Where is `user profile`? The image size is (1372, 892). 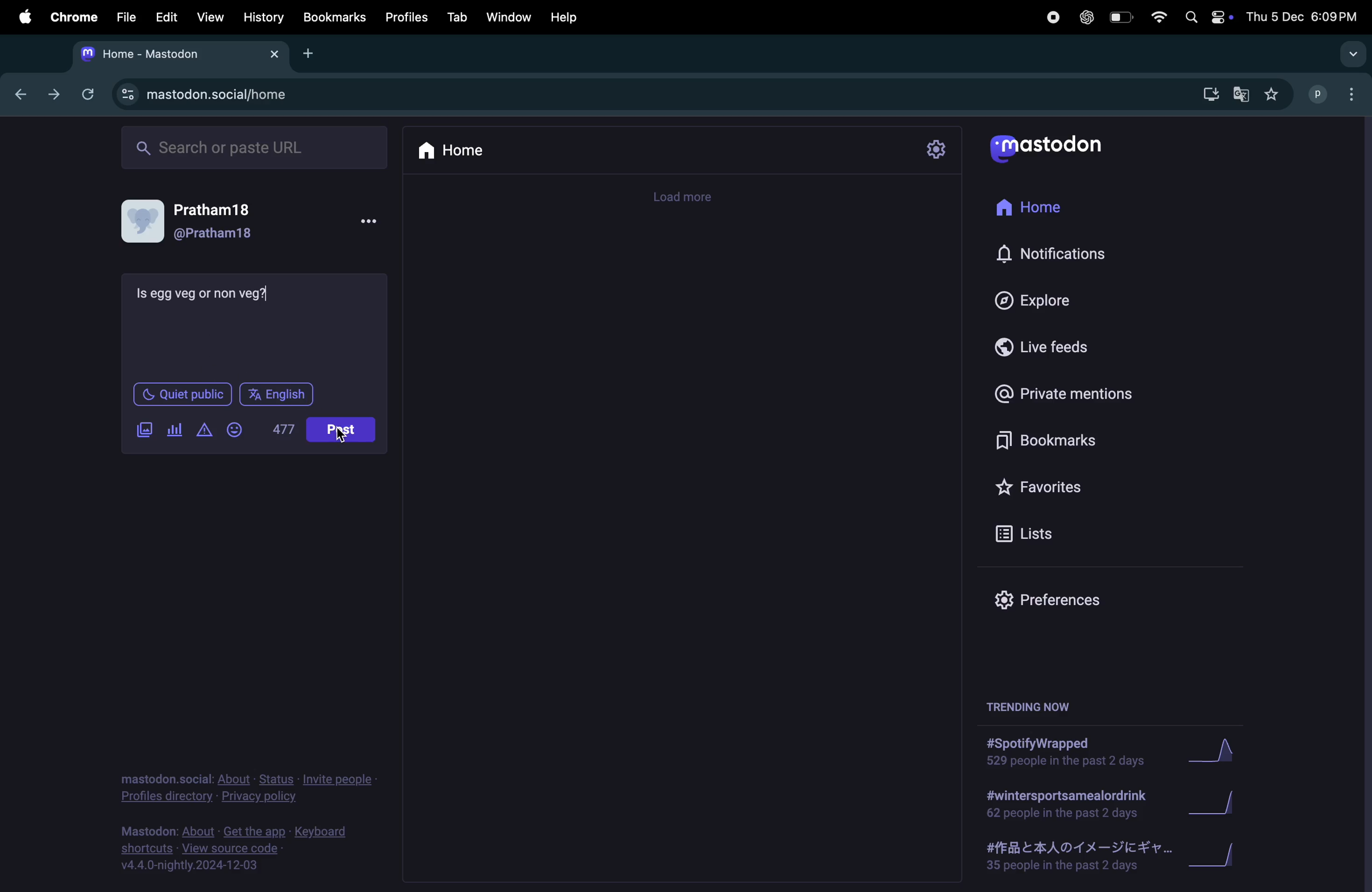
user profile is located at coordinates (201, 225).